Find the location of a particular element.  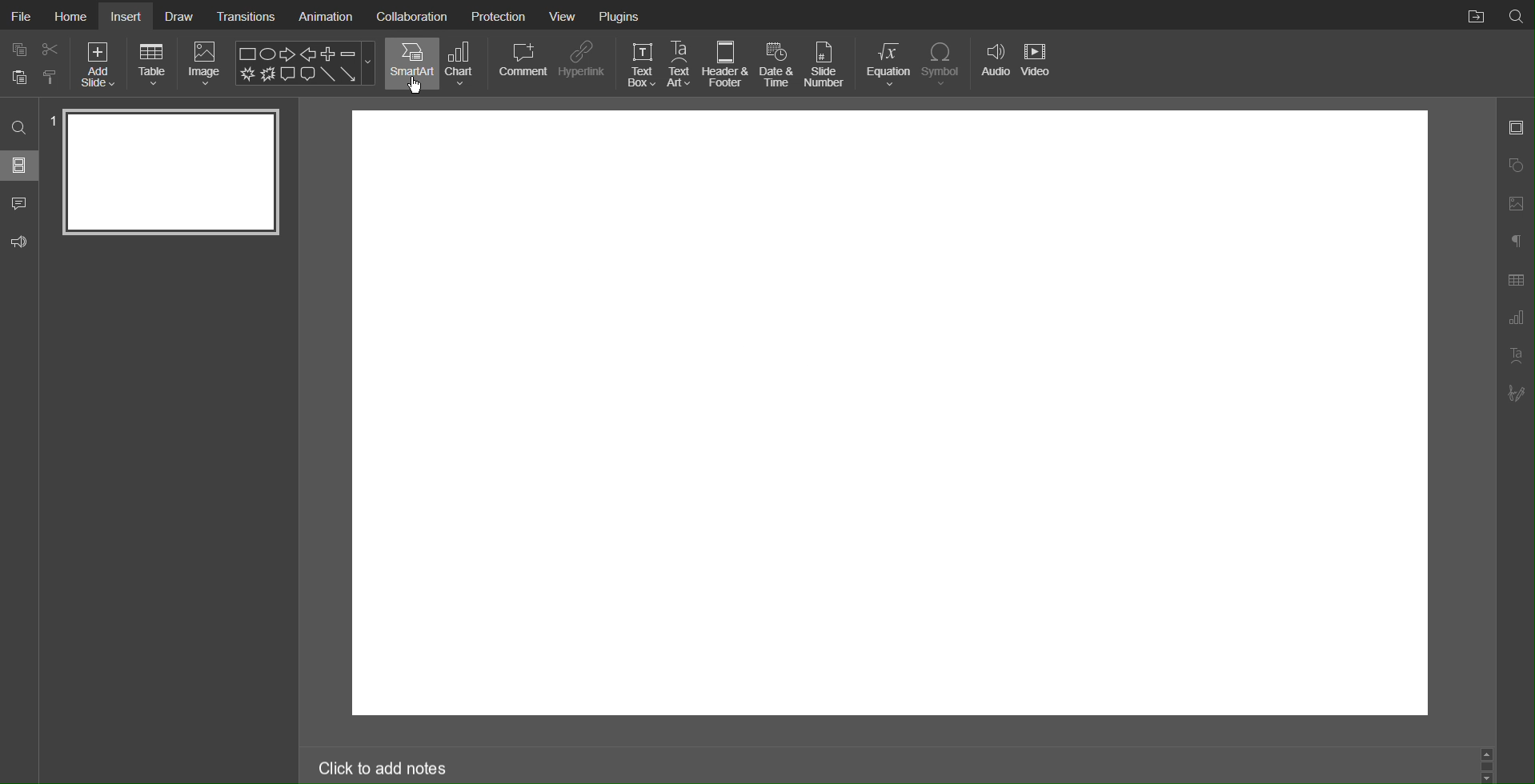

copy is located at coordinates (18, 48).